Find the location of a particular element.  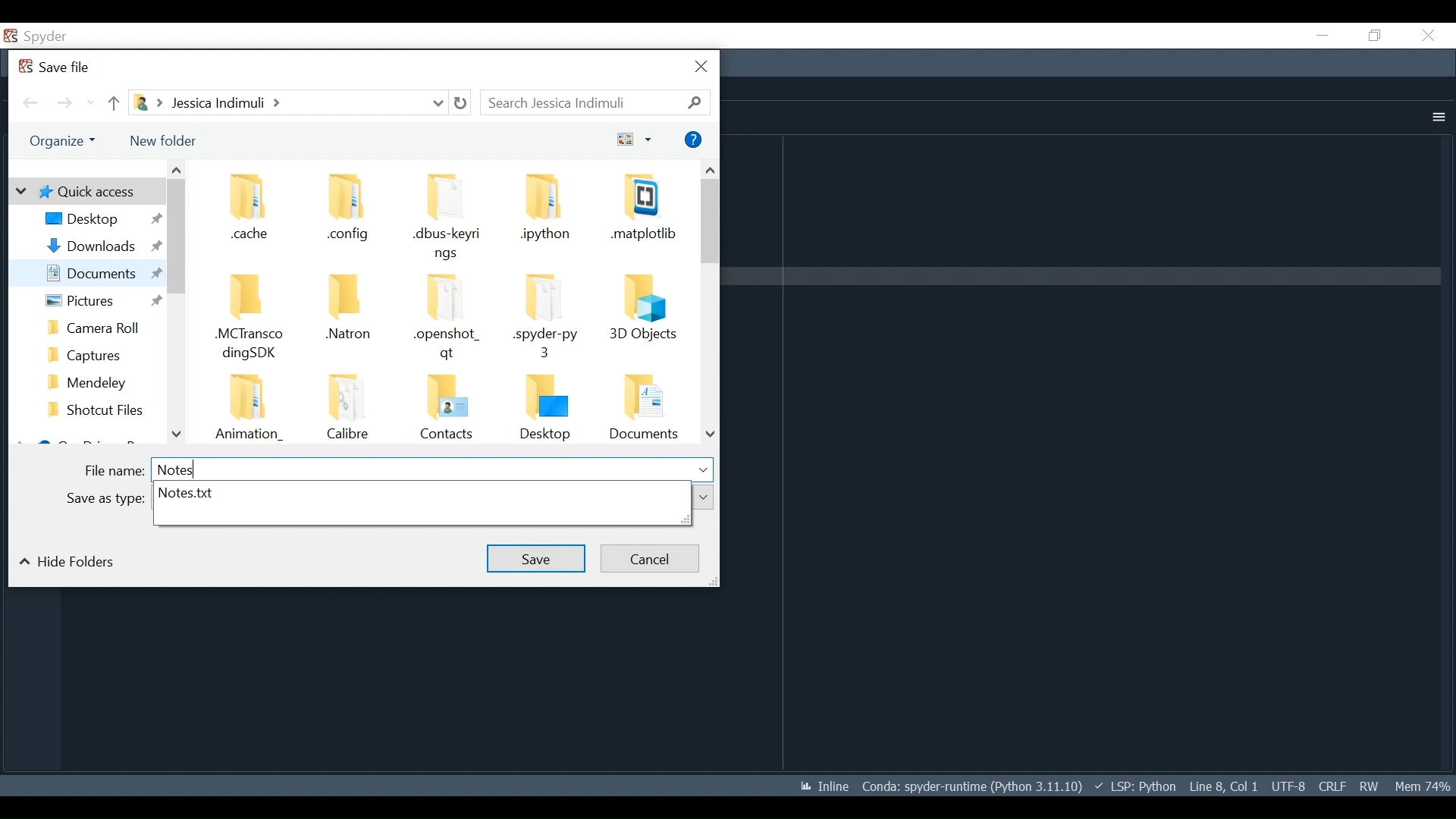

Folder is located at coordinates (447, 218).